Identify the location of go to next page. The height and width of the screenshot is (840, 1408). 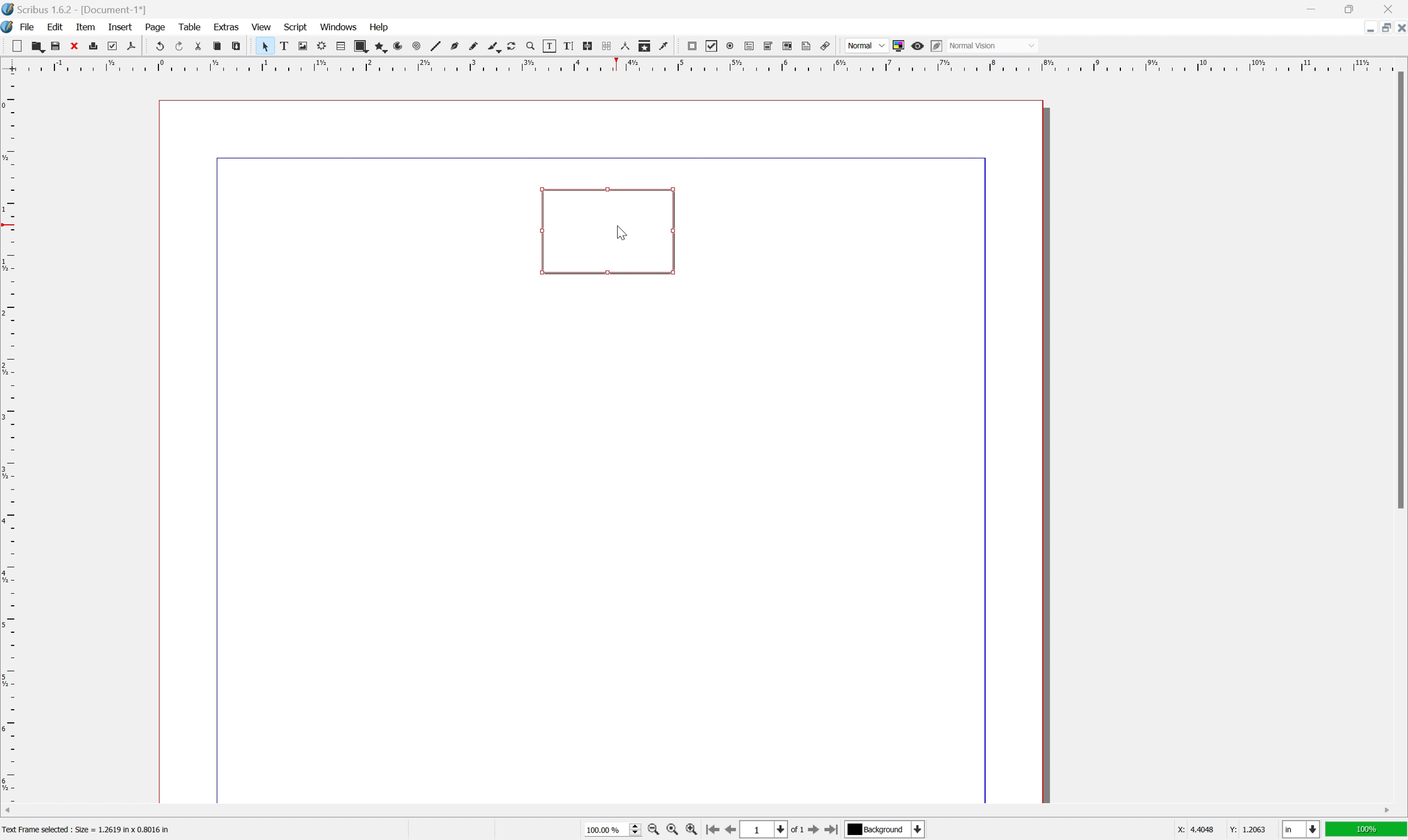
(812, 830).